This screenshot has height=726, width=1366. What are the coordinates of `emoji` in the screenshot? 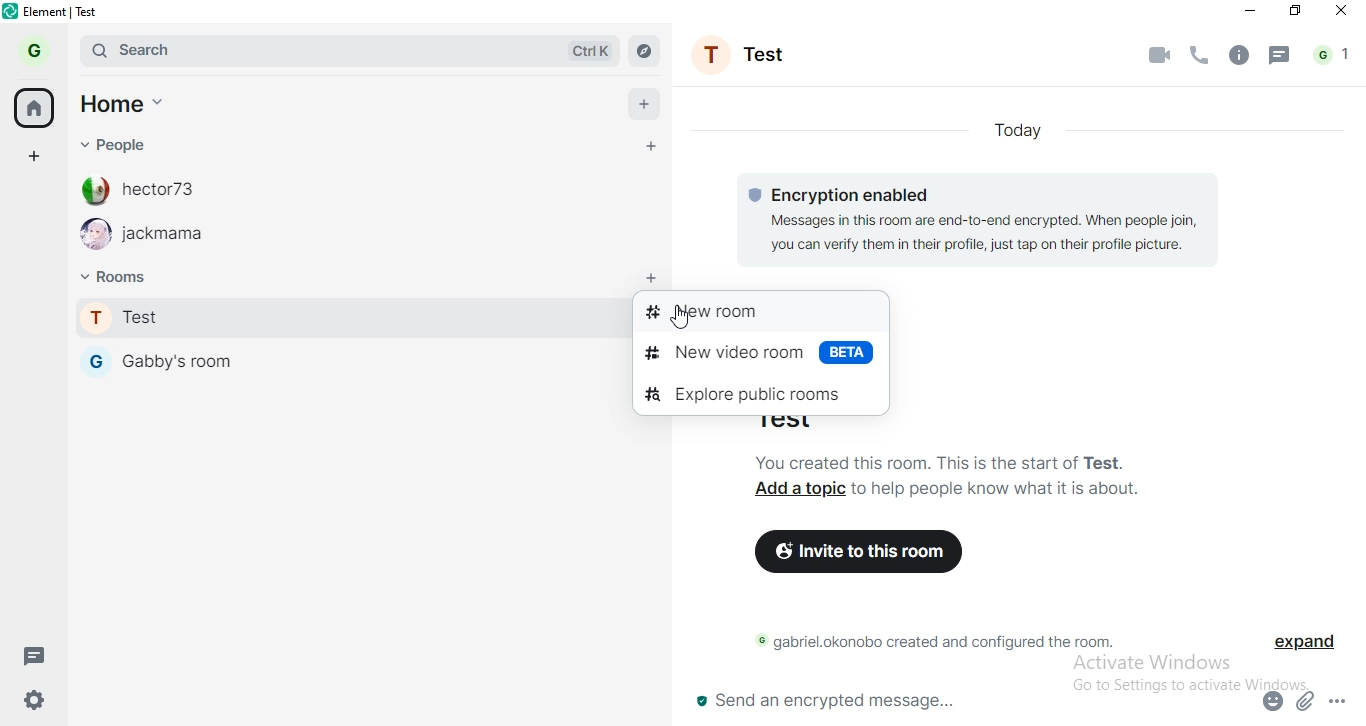 It's located at (1271, 703).